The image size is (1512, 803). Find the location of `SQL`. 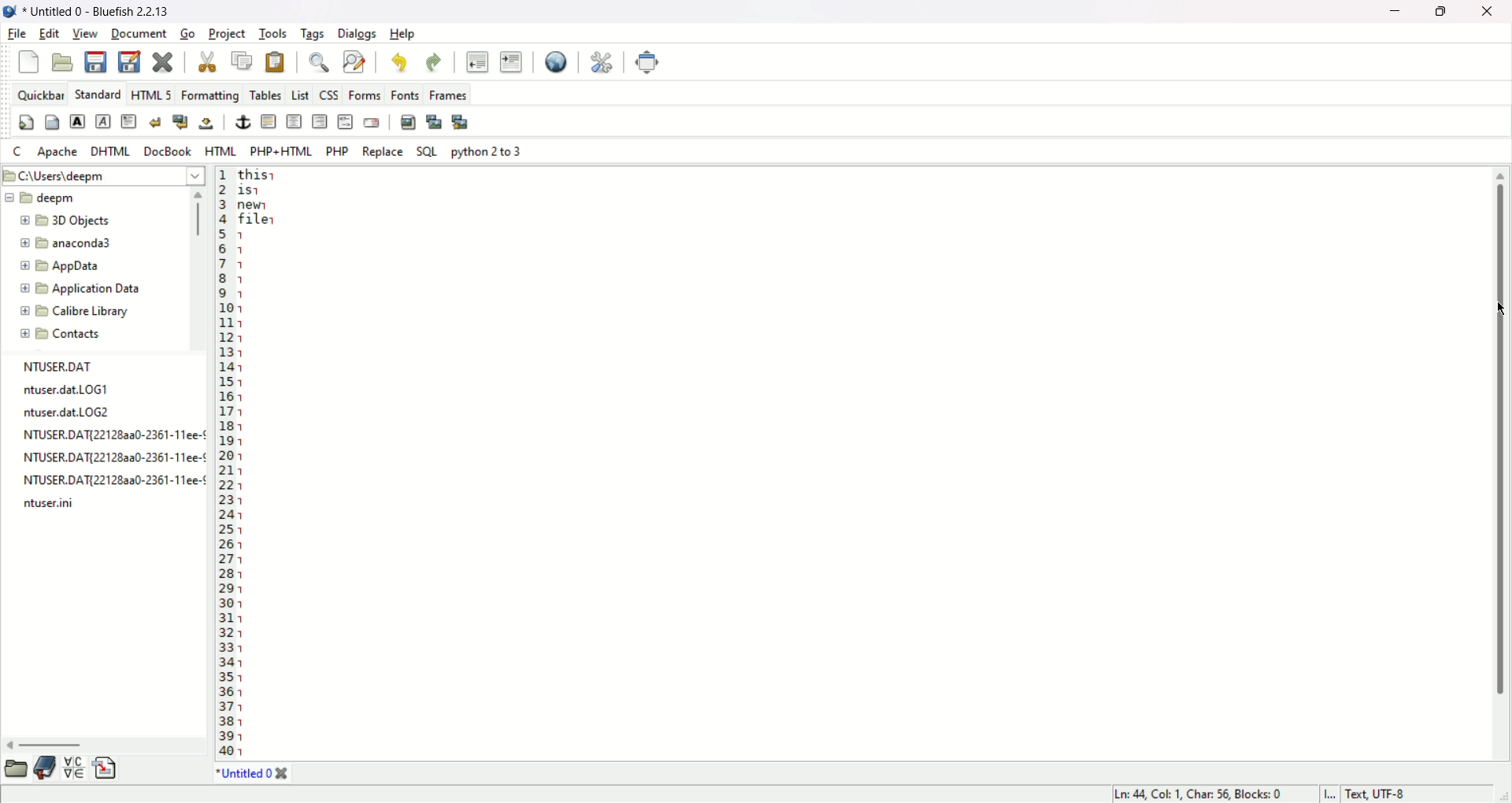

SQL is located at coordinates (428, 152).